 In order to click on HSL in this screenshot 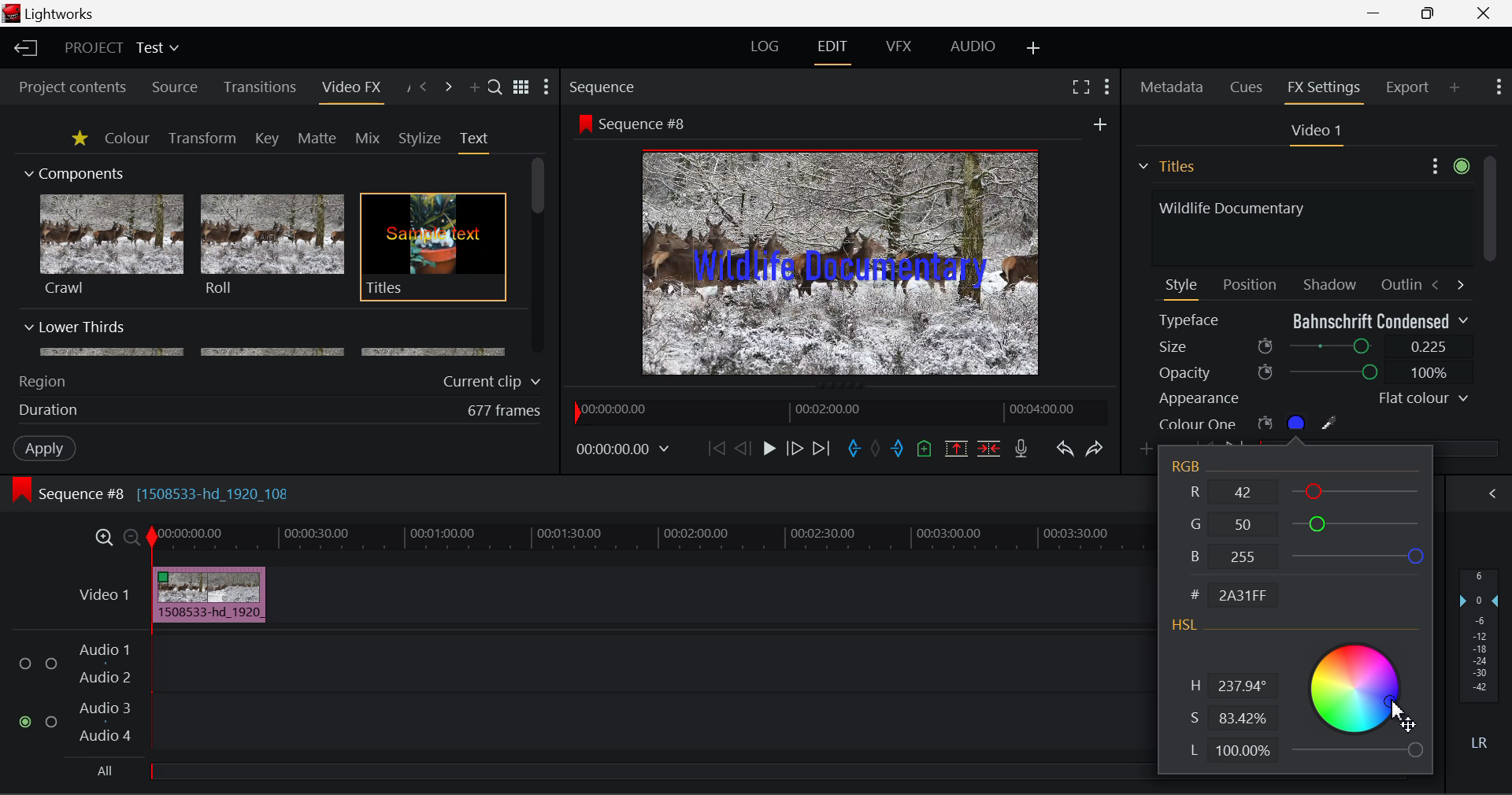, I will do `click(1185, 627)`.